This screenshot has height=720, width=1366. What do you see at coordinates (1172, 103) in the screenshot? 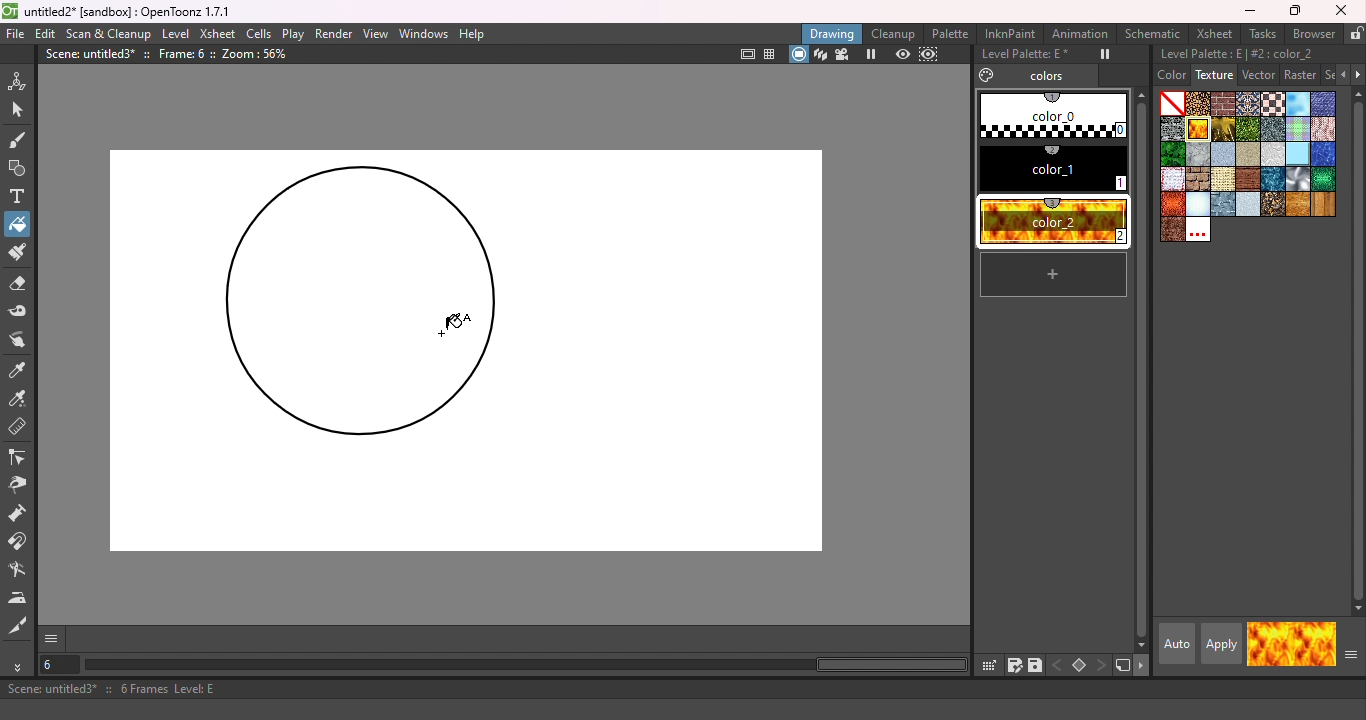
I see `Plain color` at bounding box center [1172, 103].